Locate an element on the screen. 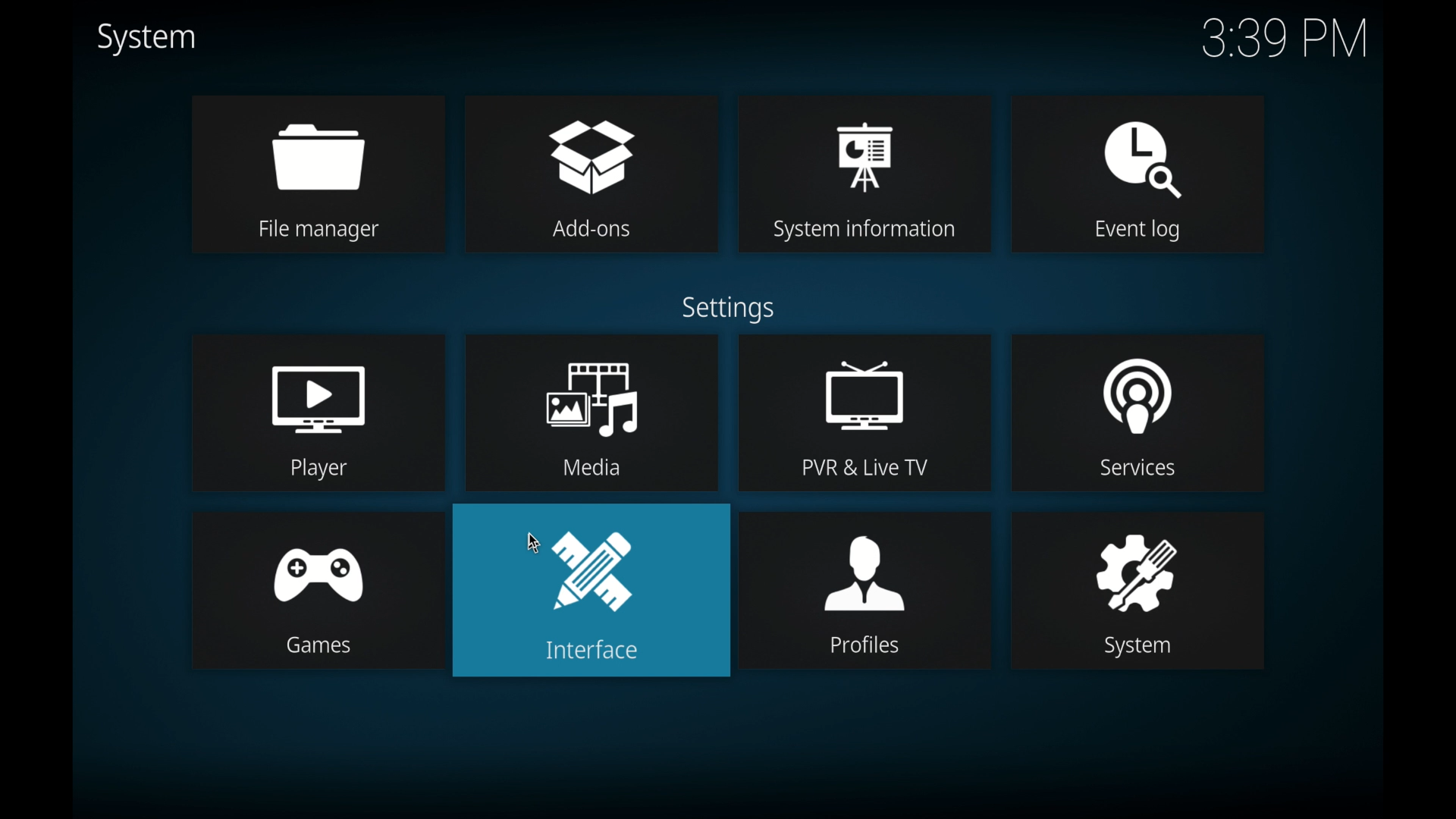 The height and width of the screenshot is (819, 1456). profiles is located at coordinates (868, 591).